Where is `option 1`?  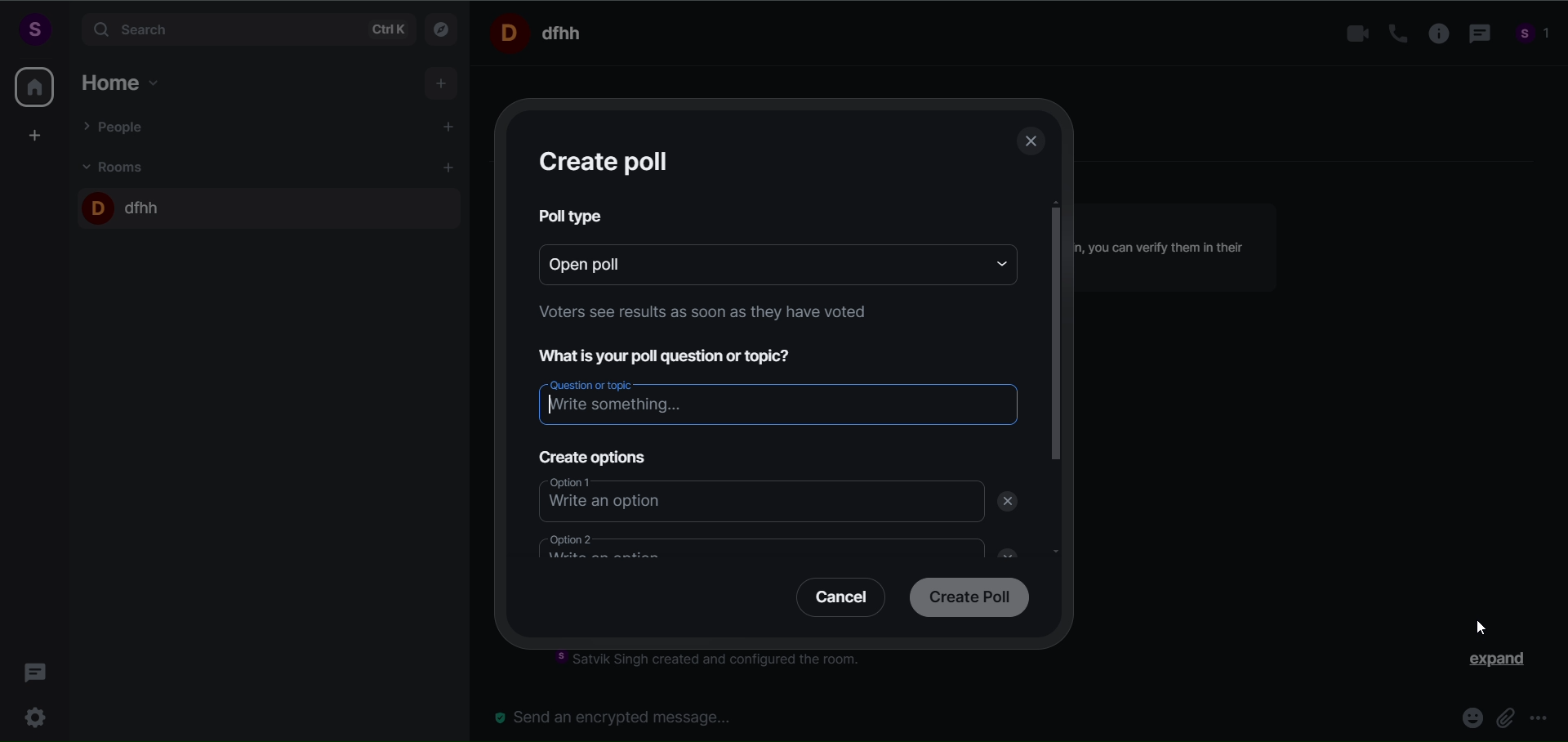
option 1 is located at coordinates (746, 499).